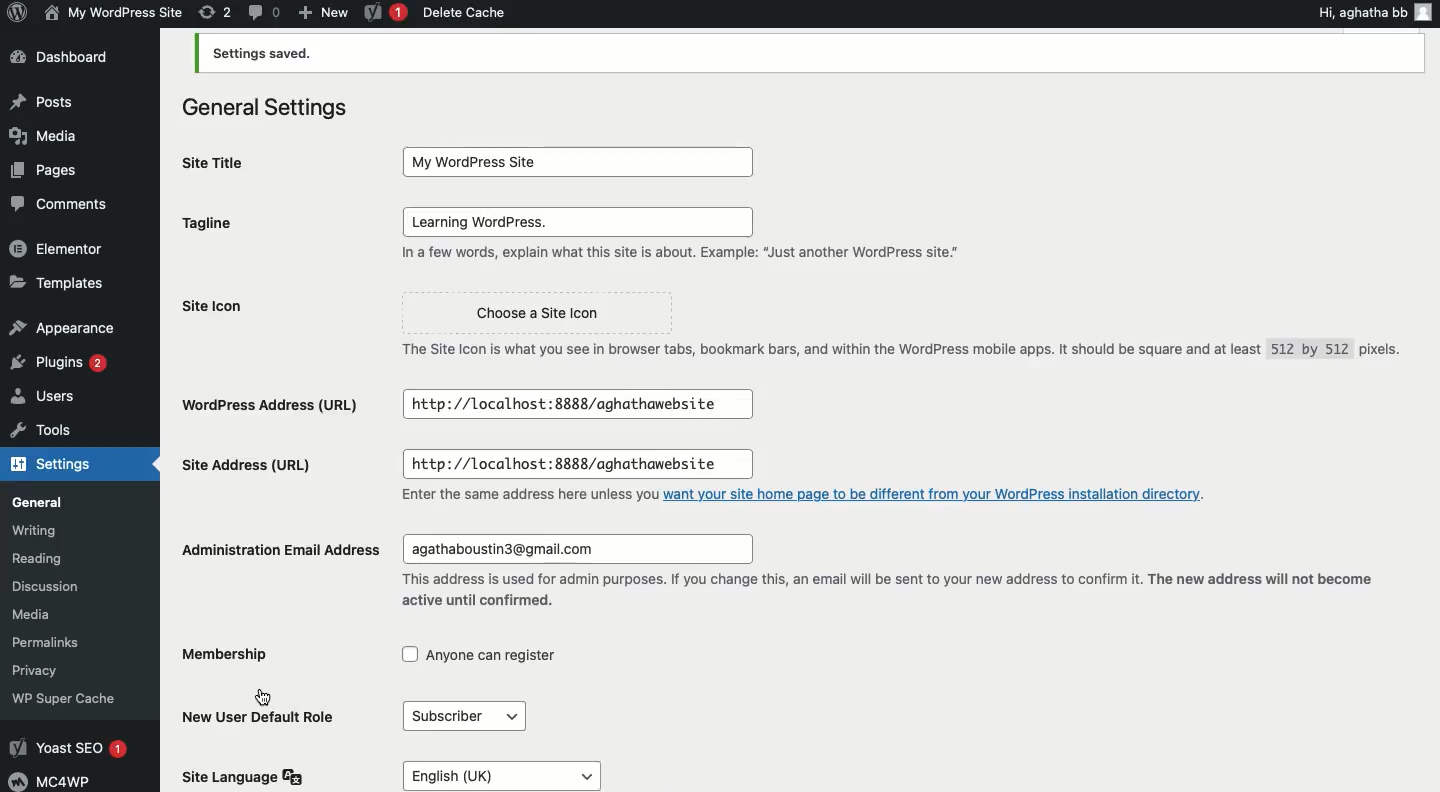 Image resolution: width=1440 pixels, height=792 pixels. I want to click on New, so click(323, 12).